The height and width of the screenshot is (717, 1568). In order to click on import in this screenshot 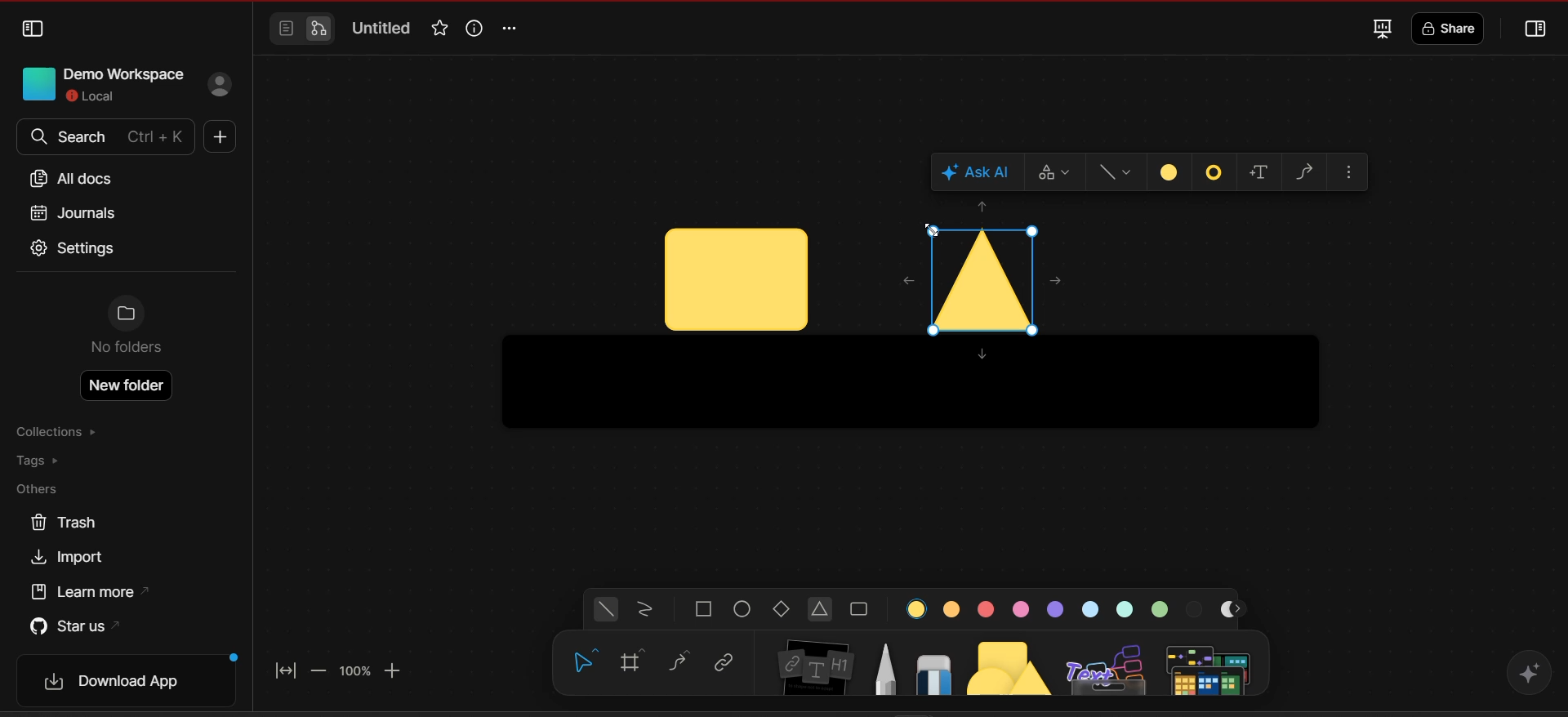, I will do `click(73, 558)`.